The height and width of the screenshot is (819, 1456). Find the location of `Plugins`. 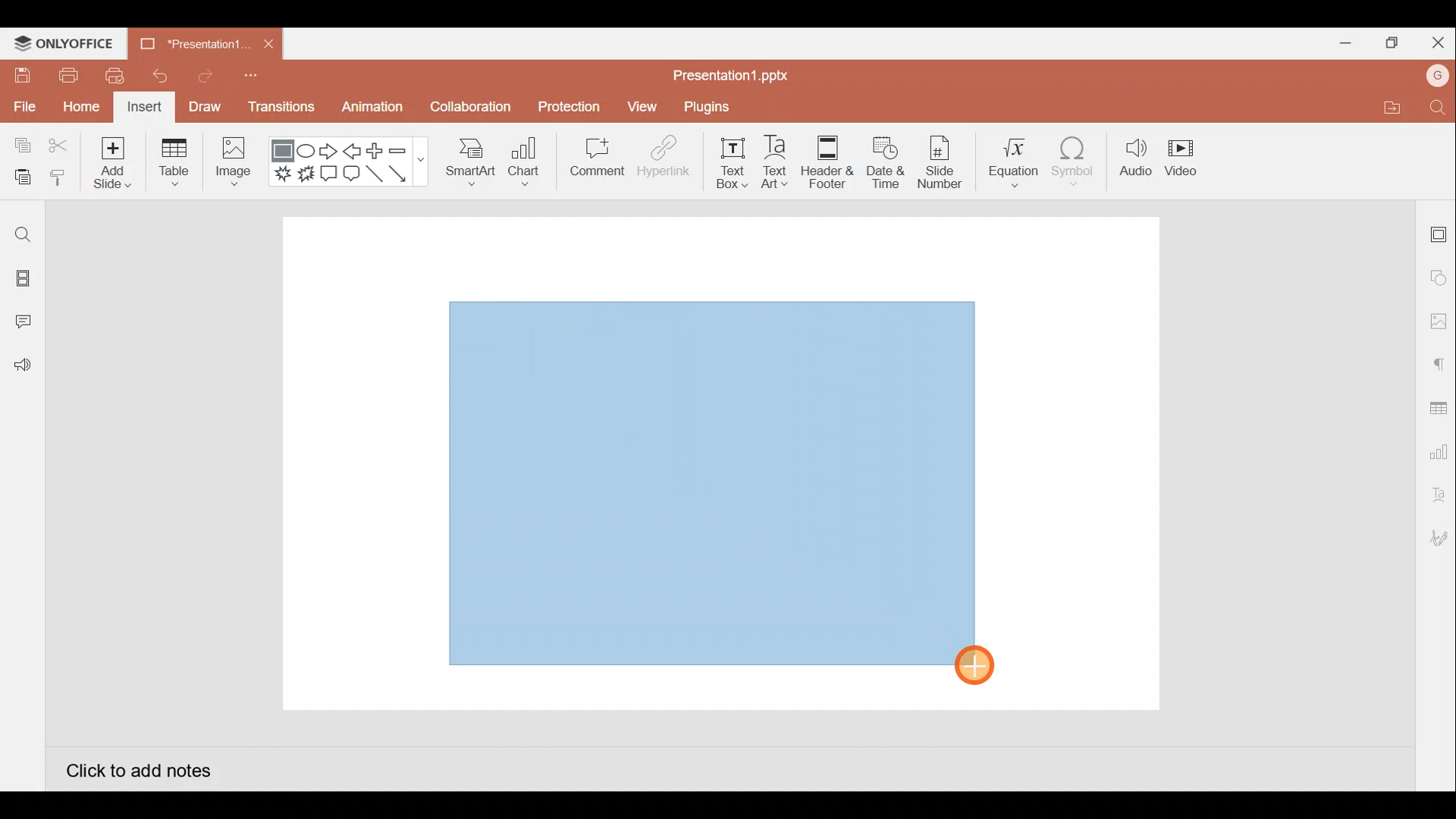

Plugins is located at coordinates (717, 105).